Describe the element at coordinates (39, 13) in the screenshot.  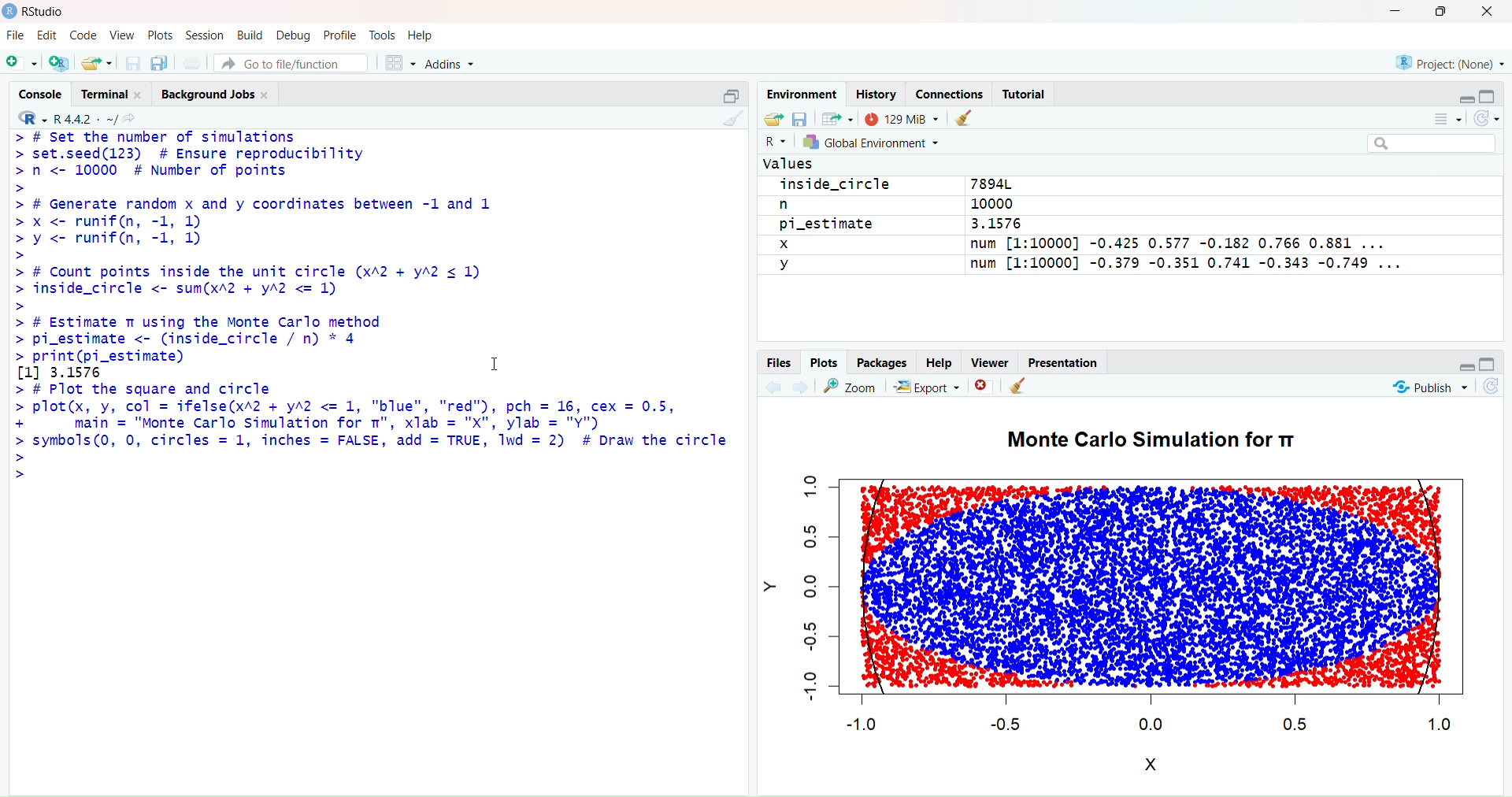
I see `RStudio` at that location.